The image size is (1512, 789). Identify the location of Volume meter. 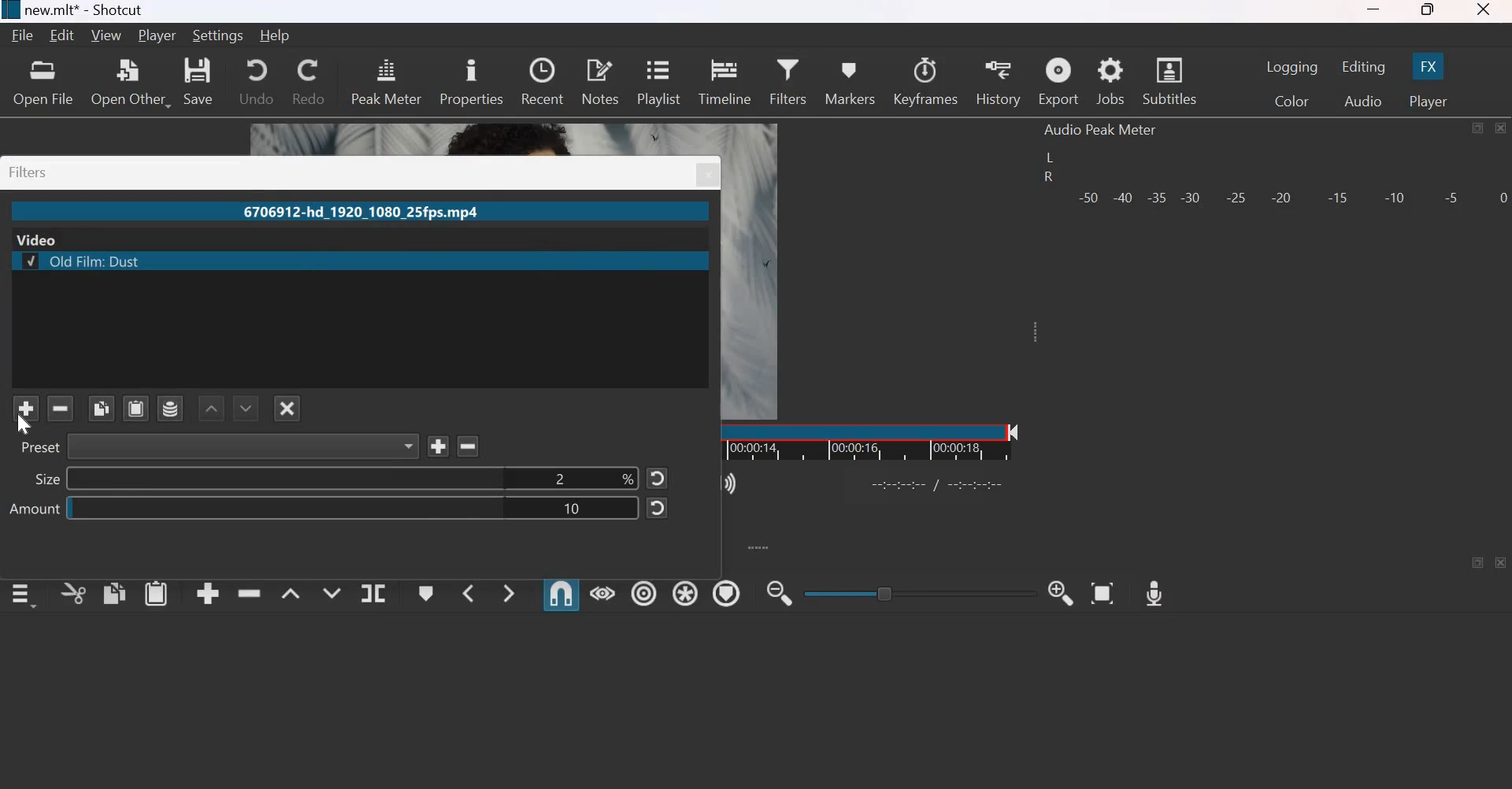
(1291, 198).